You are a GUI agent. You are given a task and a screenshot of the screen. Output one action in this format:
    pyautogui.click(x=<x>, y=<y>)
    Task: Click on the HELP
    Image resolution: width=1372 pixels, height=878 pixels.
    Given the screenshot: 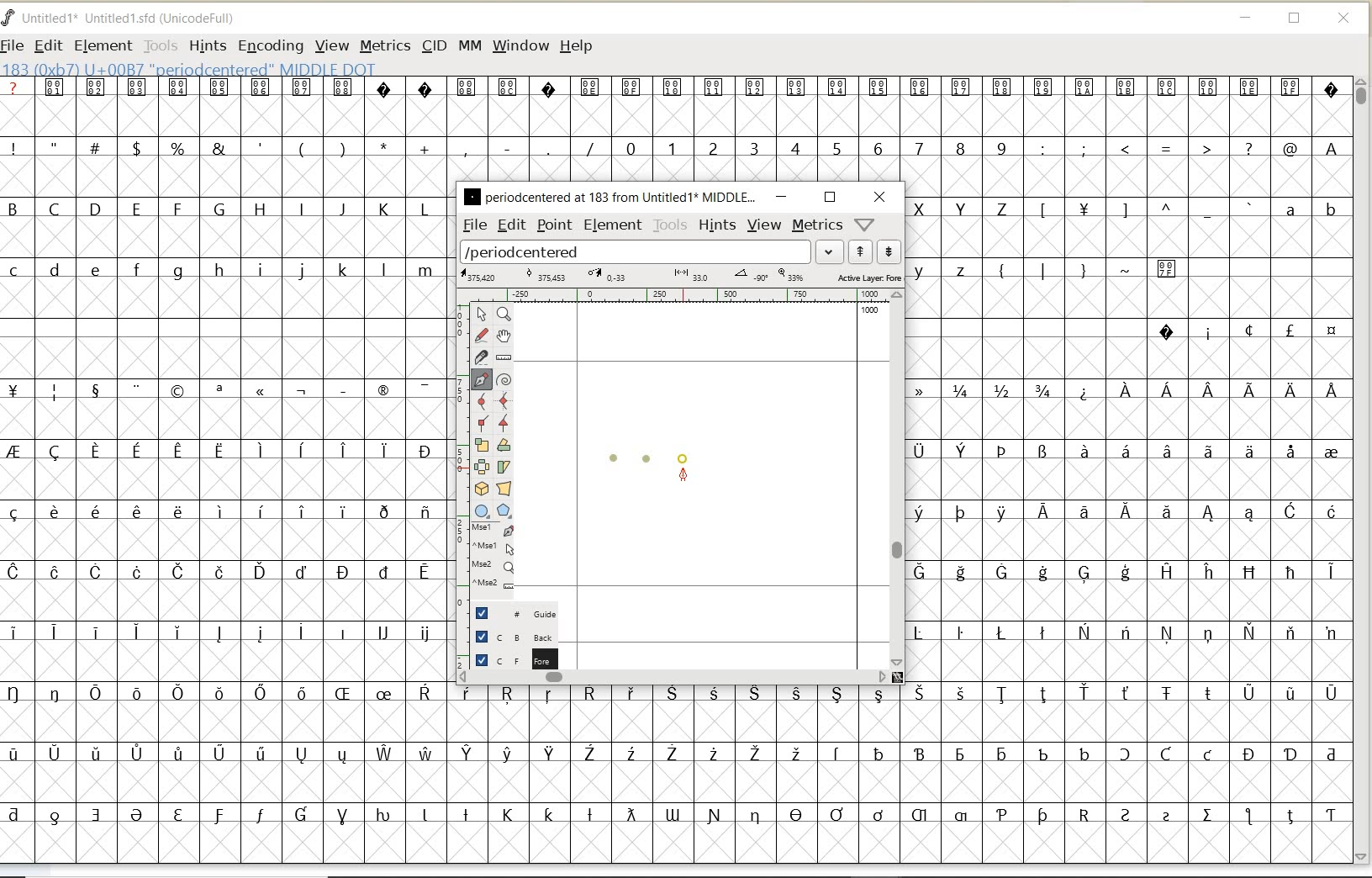 What is the action you would take?
    pyautogui.click(x=576, y=45)
    